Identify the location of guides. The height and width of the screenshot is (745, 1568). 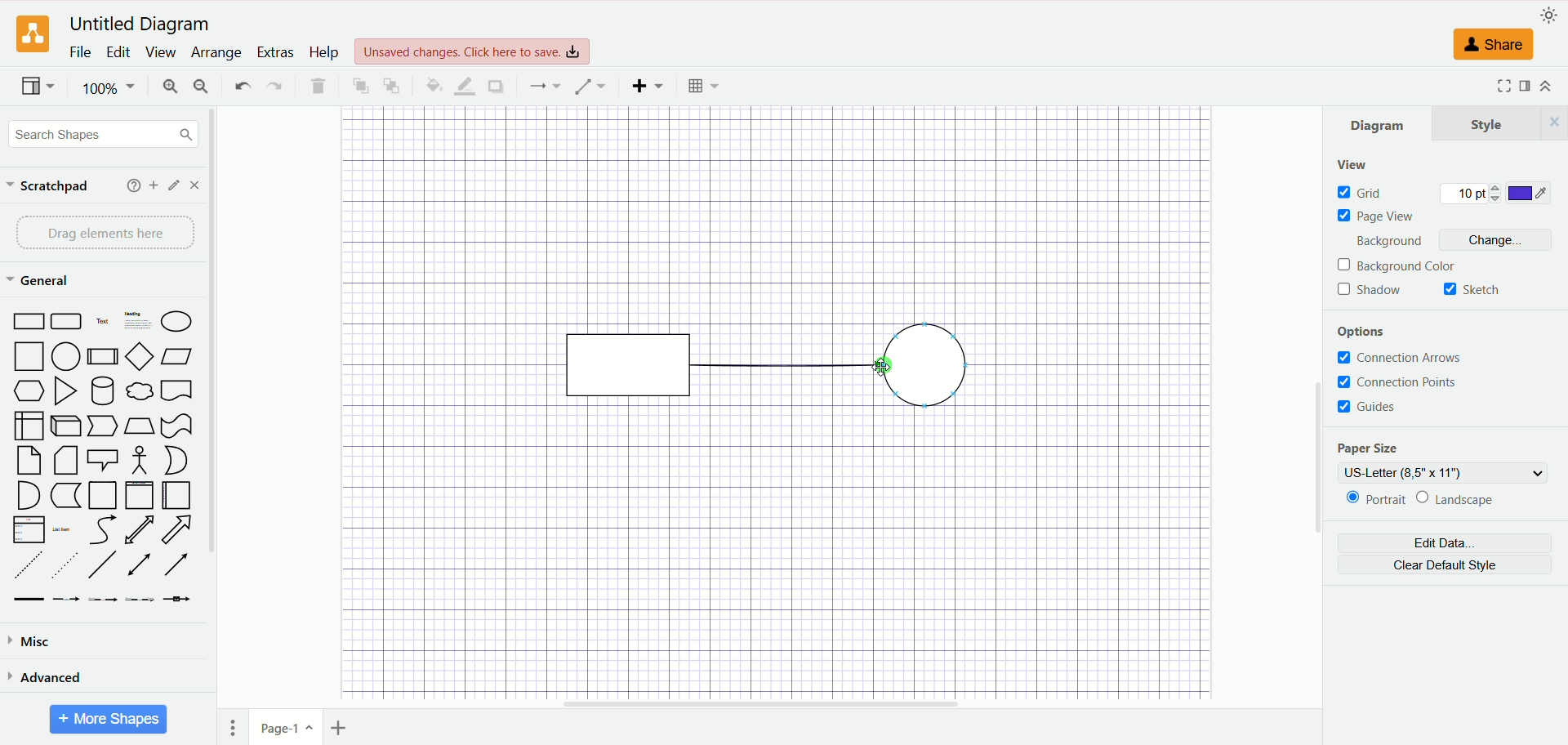
(1366, 407).